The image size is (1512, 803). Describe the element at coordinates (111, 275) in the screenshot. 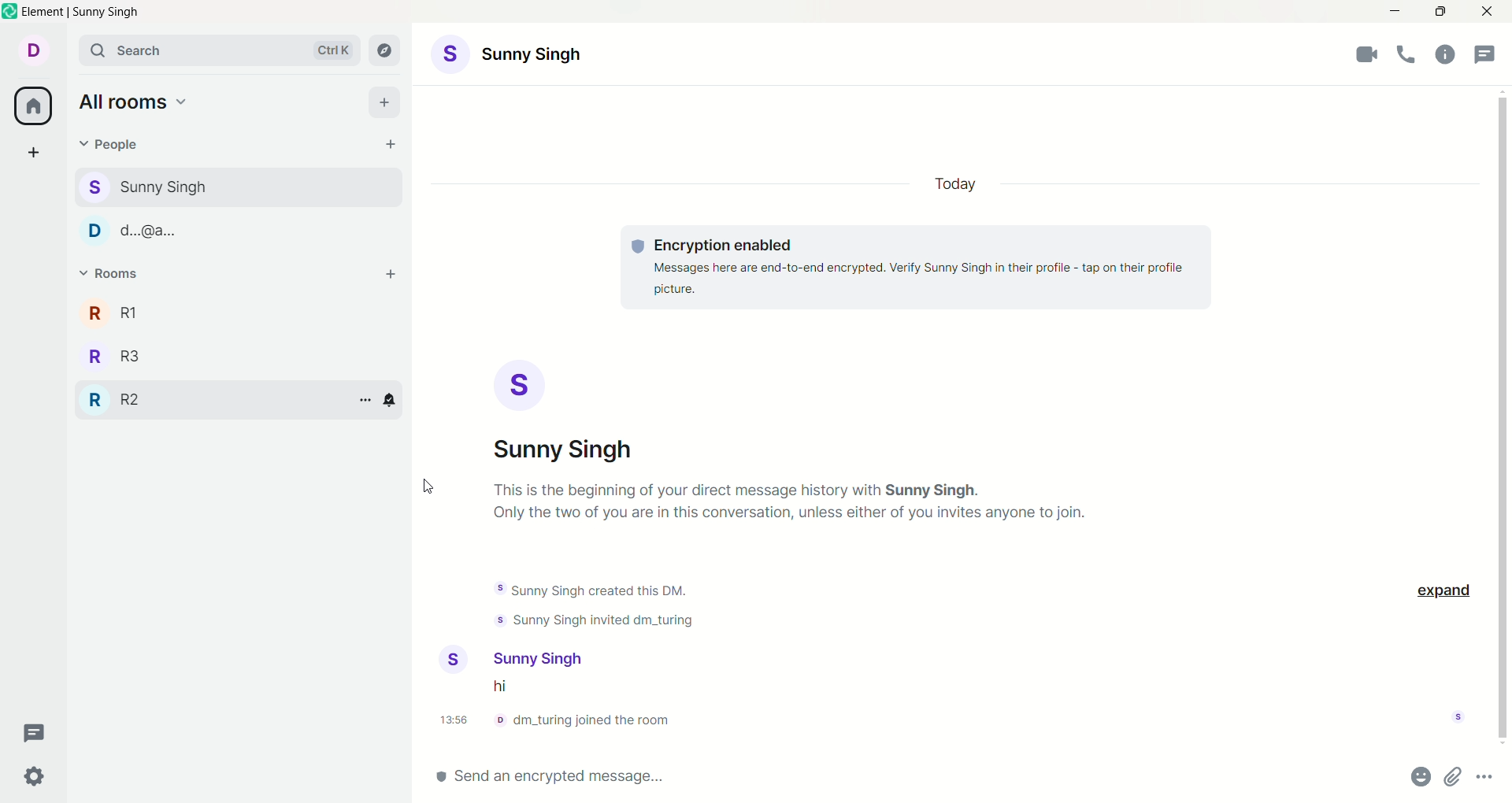

I see `rooms` at that location.